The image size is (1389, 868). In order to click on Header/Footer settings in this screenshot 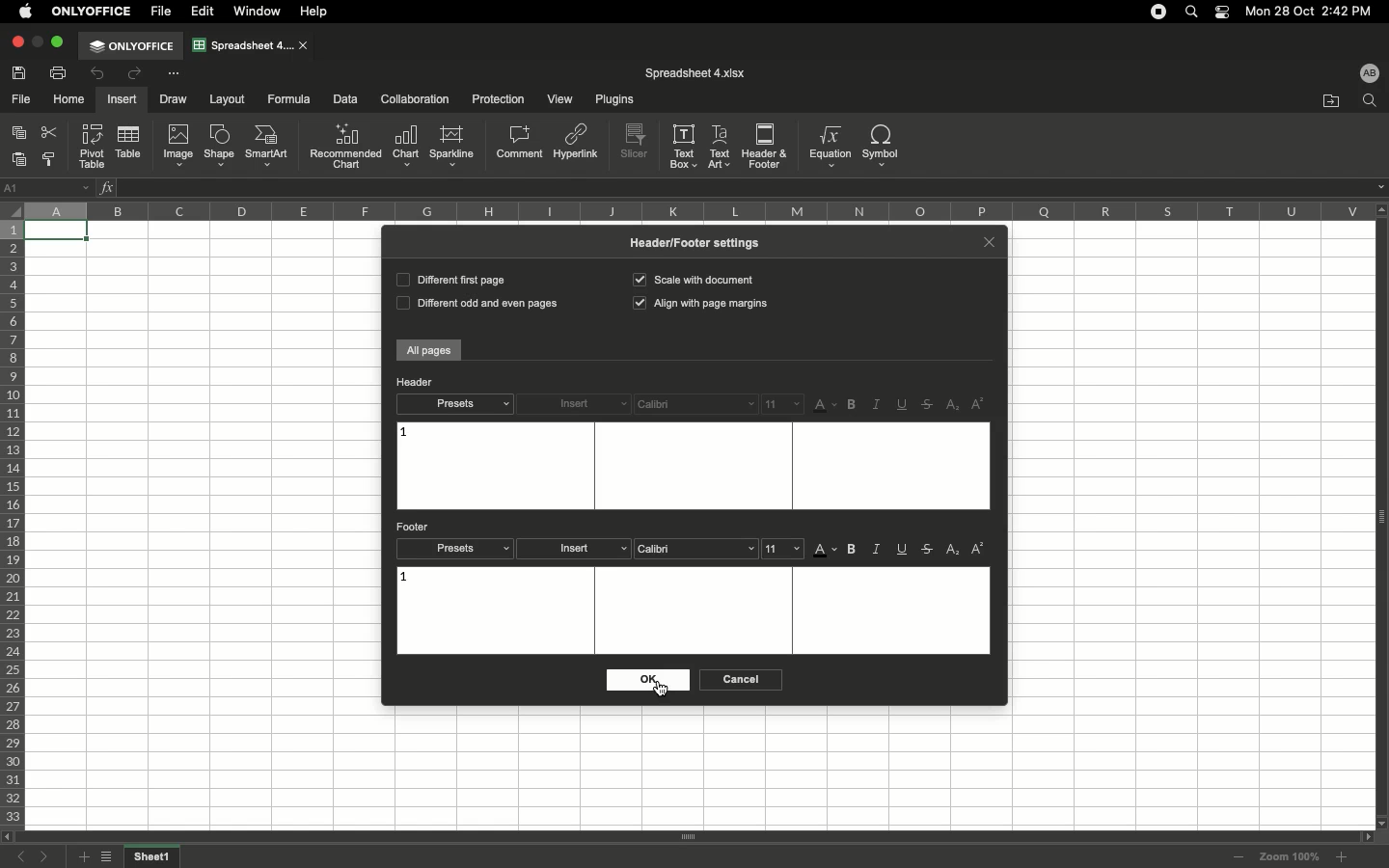, I will do `click(701, 242)`.